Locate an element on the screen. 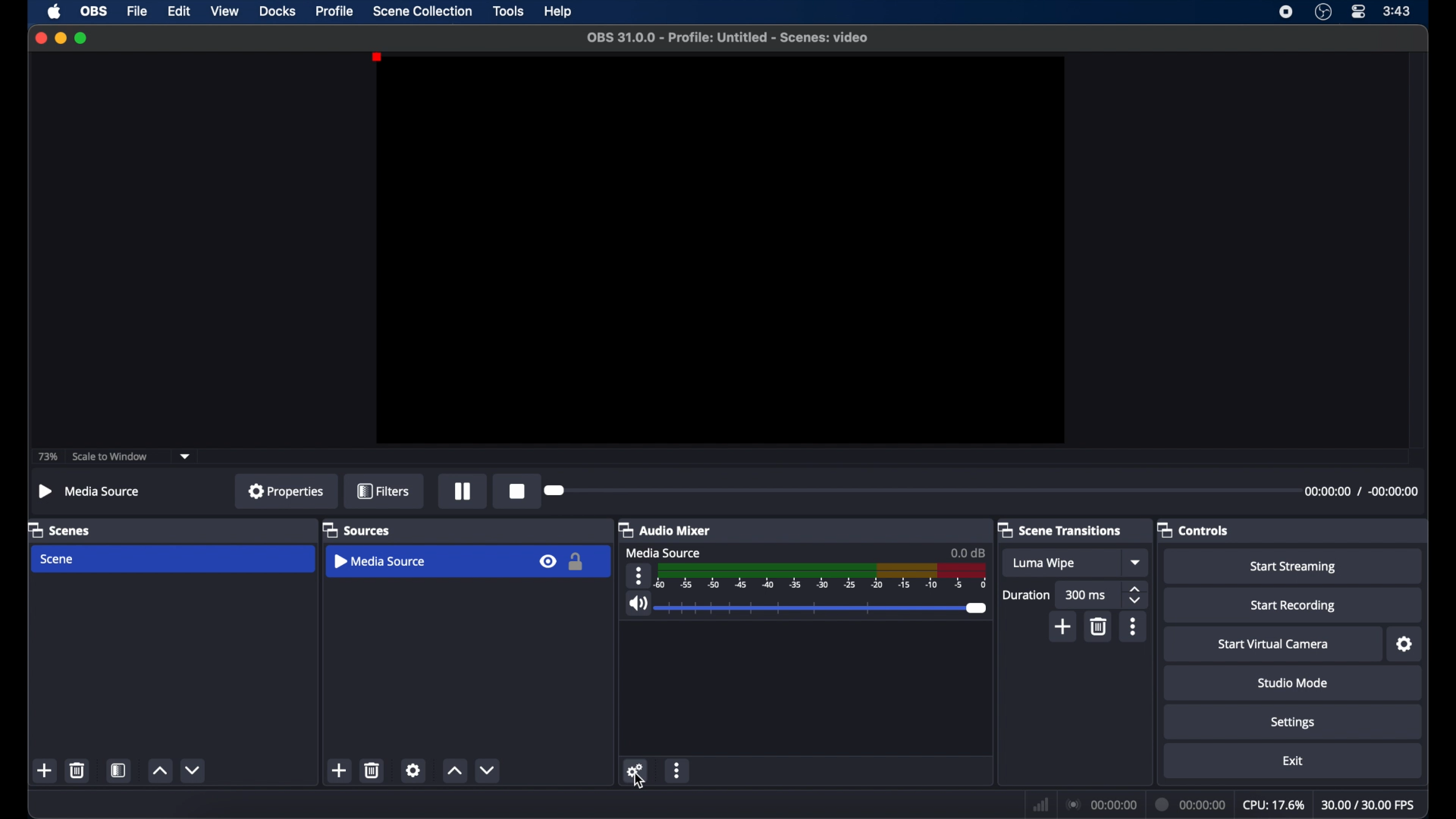 The height and width of the screenshot is (819, 1456). increment is located at coordinates (159, 770).